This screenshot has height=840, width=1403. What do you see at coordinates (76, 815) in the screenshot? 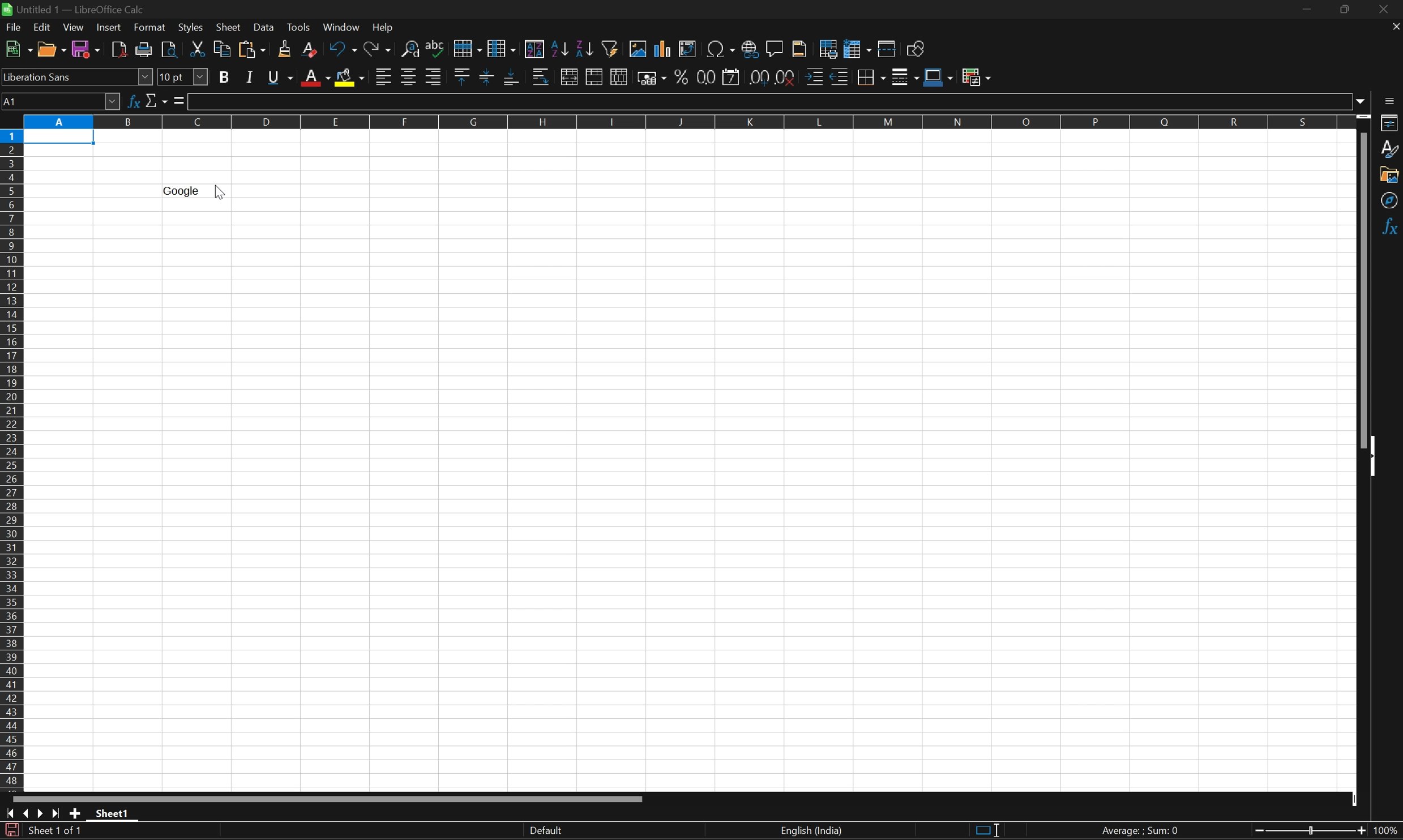
I see `Add new sheet` at bounding box center [76, 815].